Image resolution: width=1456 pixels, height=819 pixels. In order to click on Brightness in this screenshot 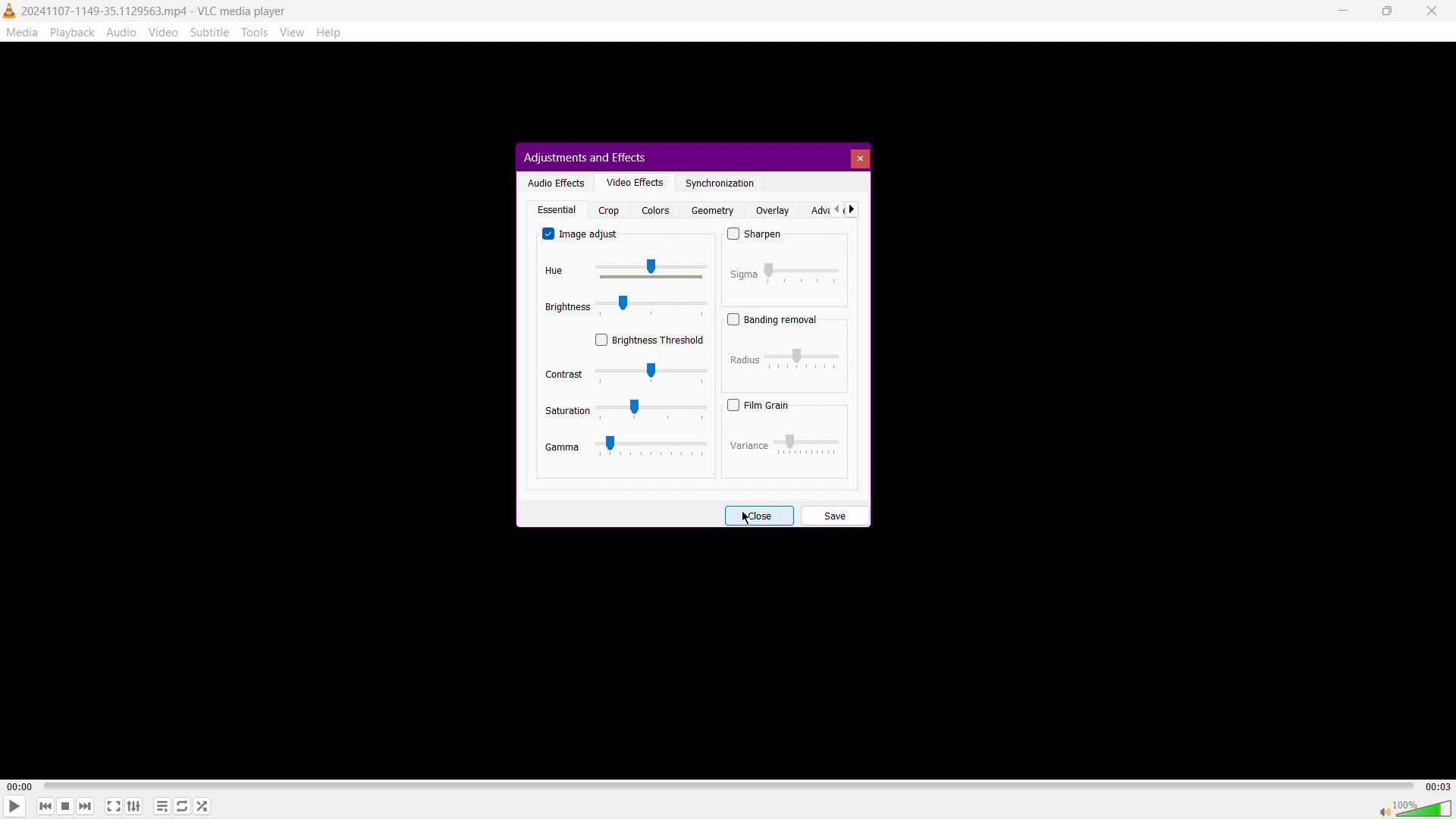, I will do `click(626, 306)`.